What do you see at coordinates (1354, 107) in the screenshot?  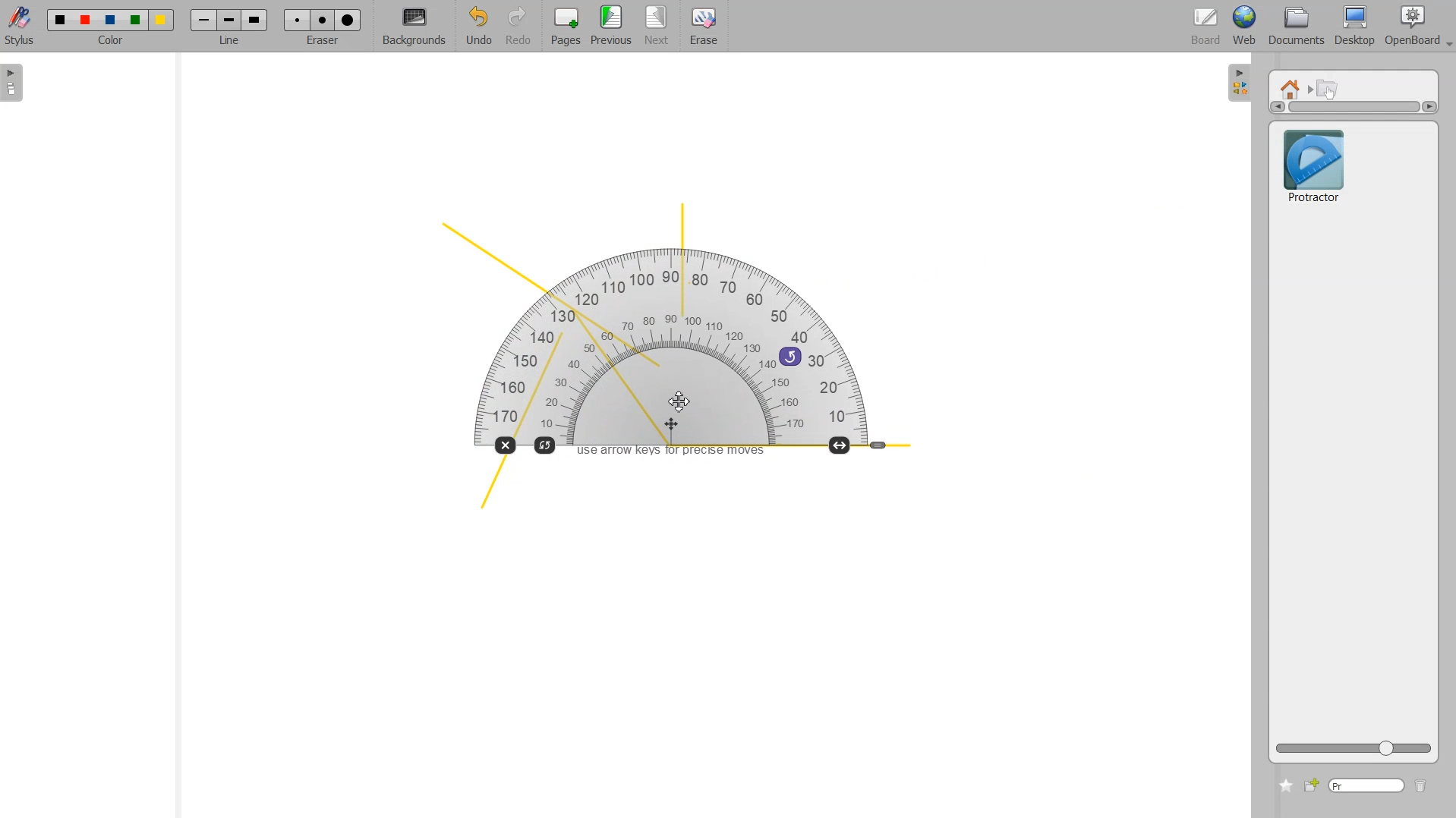 I see `Vertical scrollbar` at bounding box center [1354, 107].